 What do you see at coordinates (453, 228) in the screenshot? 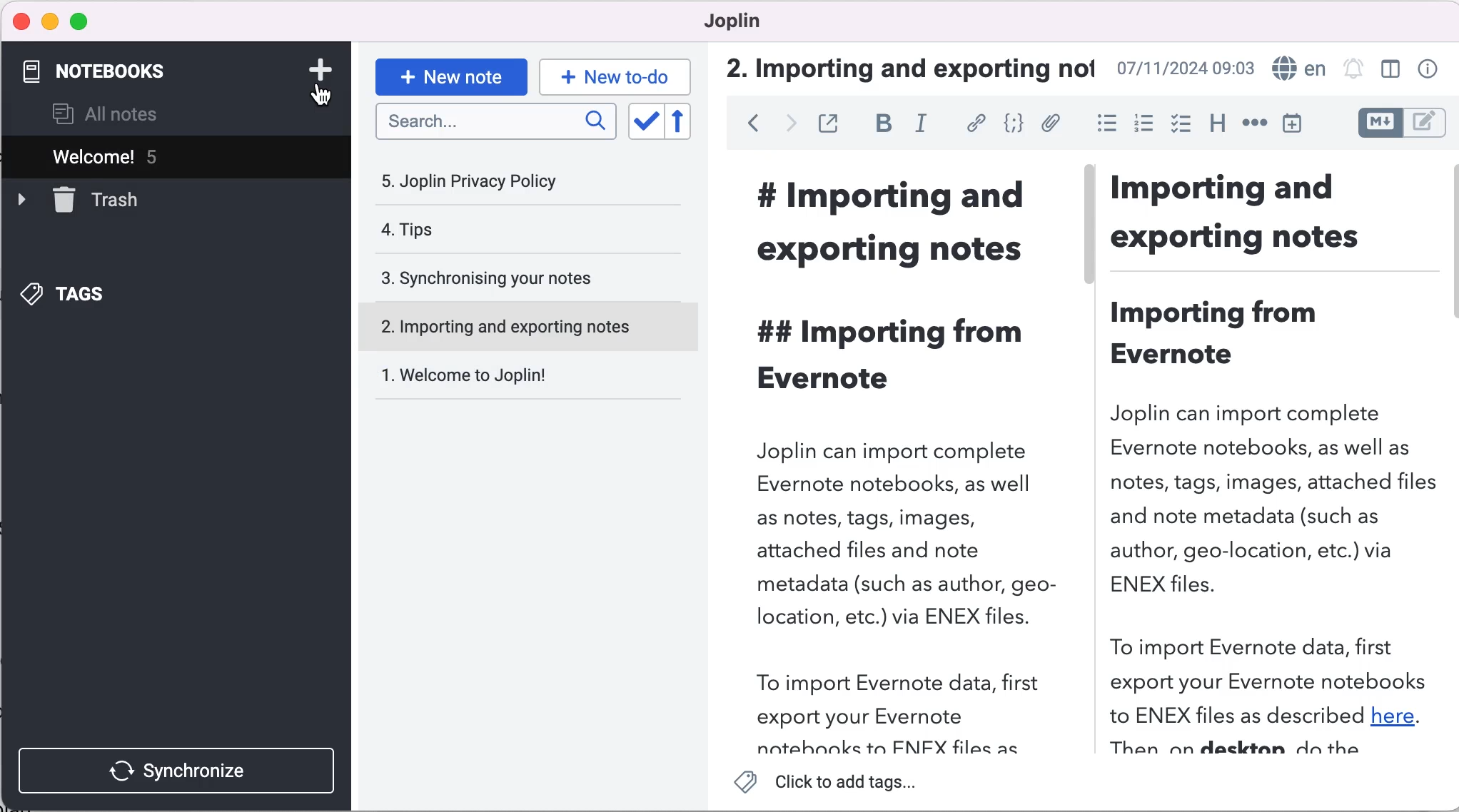
I see `tips` at bounding box center [453, 228].